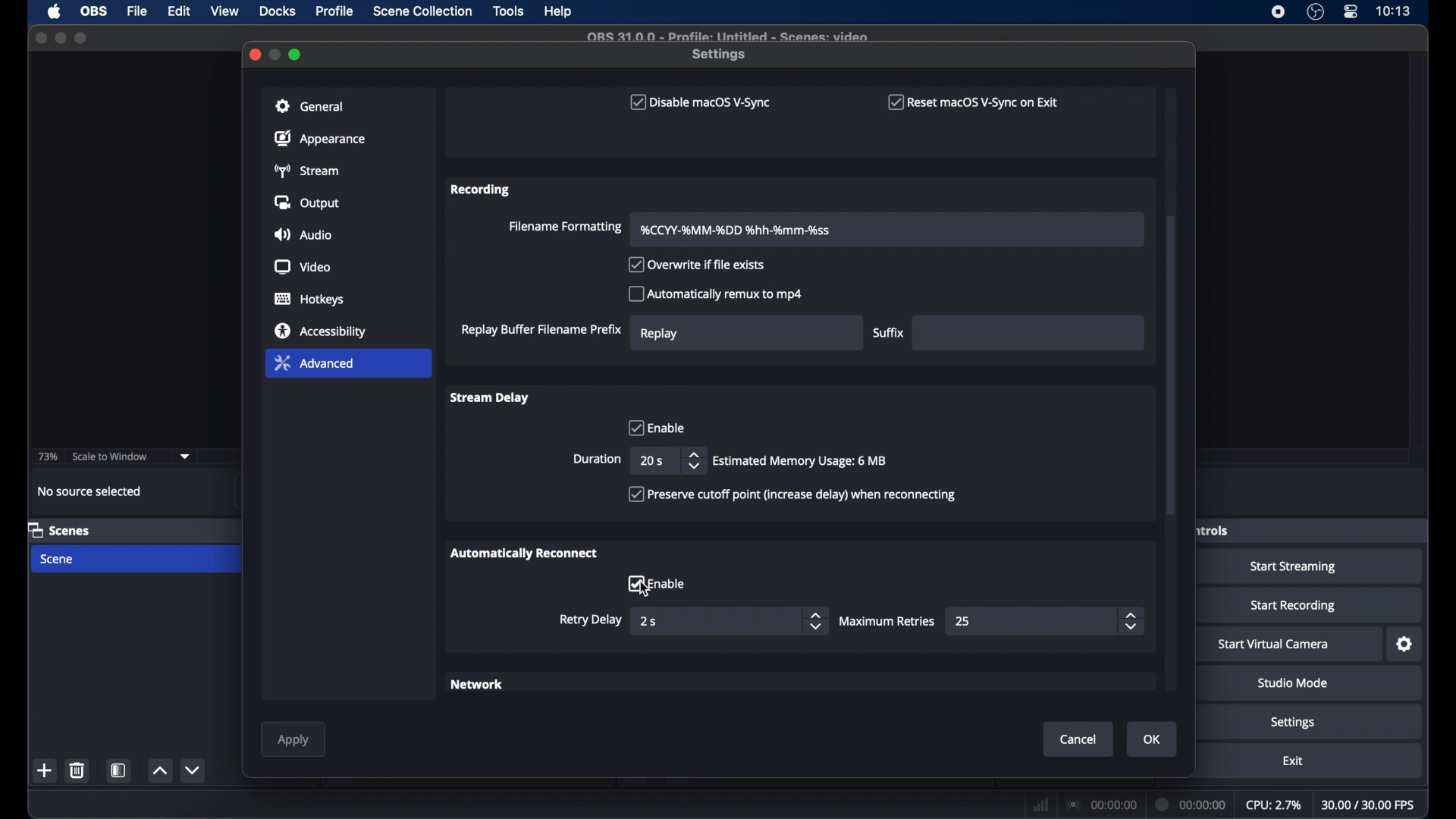 Image resolution: width=1456 pixels, height=819 pixels. I want to click on profile, so click(336, 11).